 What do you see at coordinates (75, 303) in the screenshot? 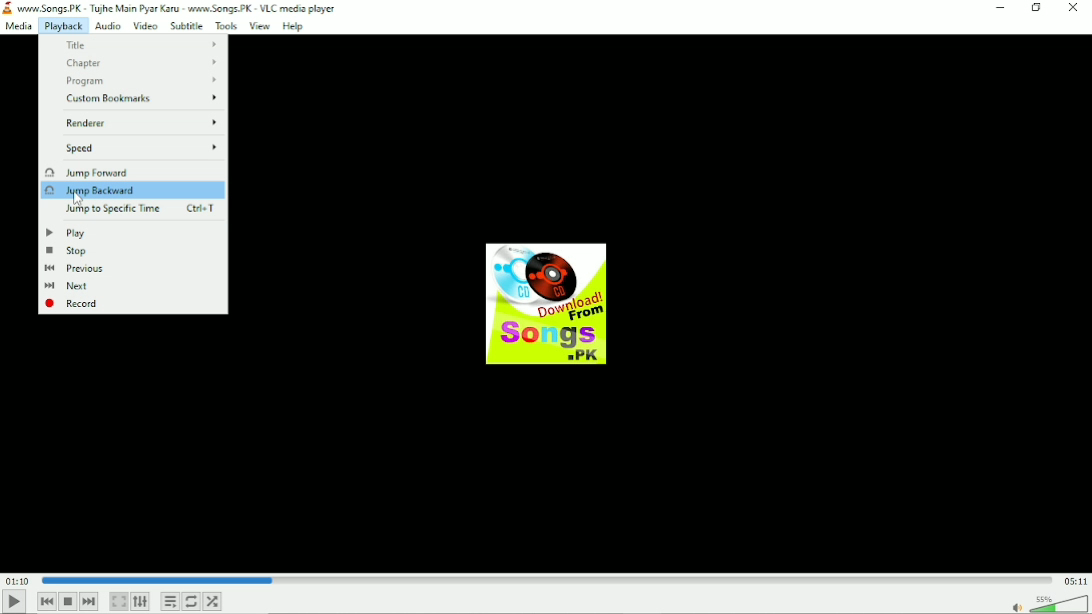
I see `Record` at bounding box center [75, 303].